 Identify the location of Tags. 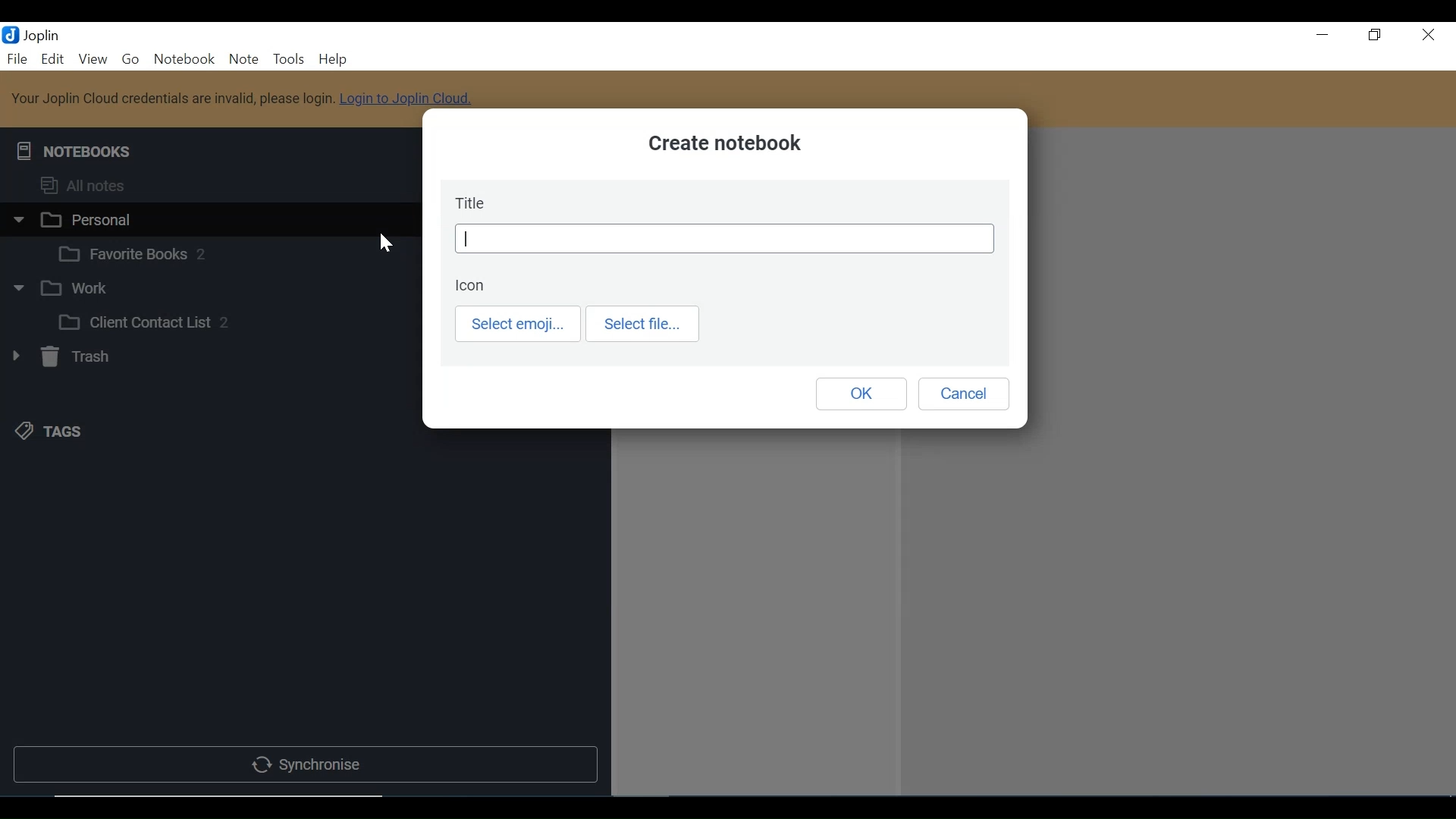
(50, 432).